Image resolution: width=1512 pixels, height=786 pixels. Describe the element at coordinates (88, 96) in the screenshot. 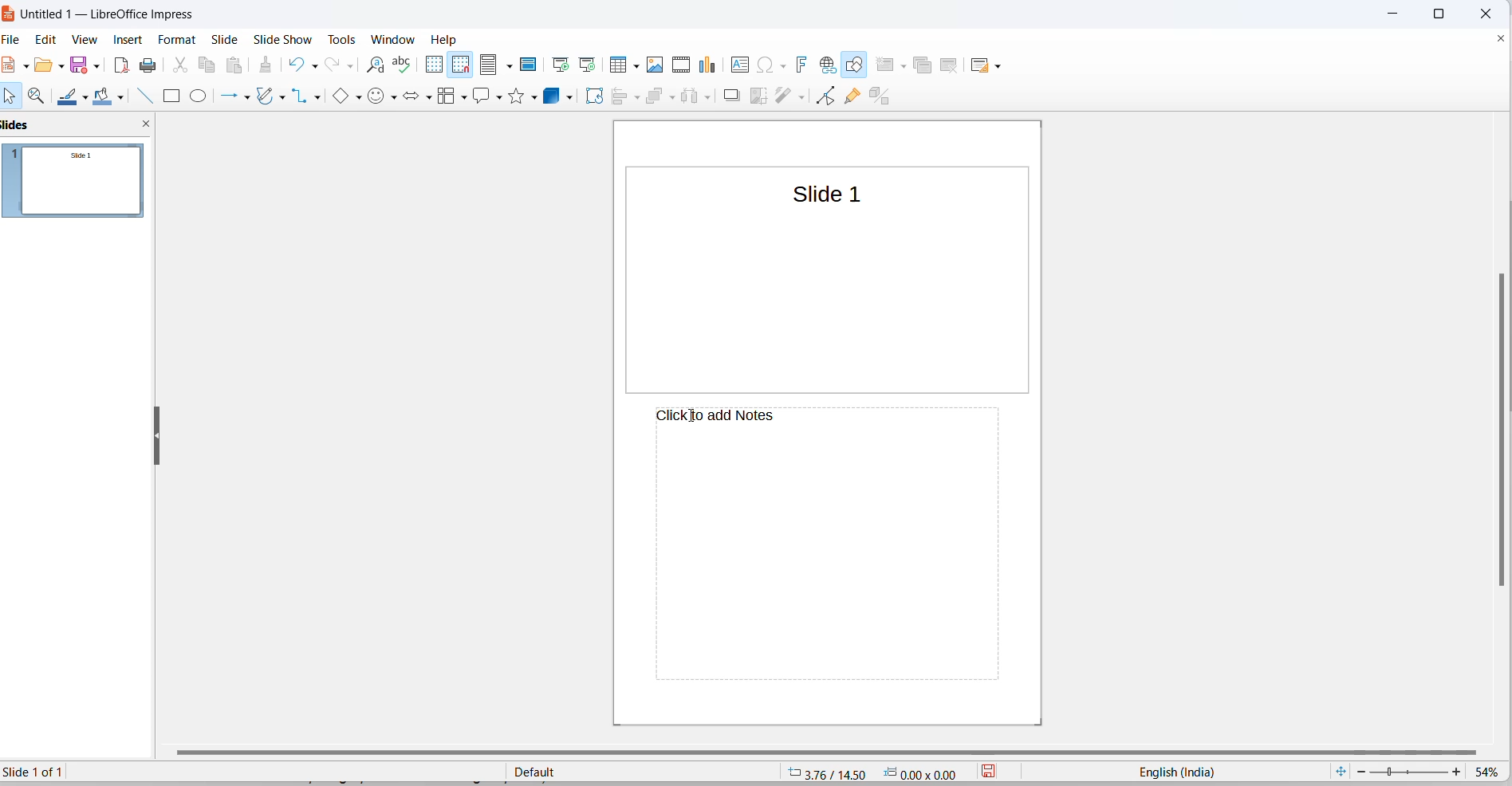

I see `line color options` at that location.